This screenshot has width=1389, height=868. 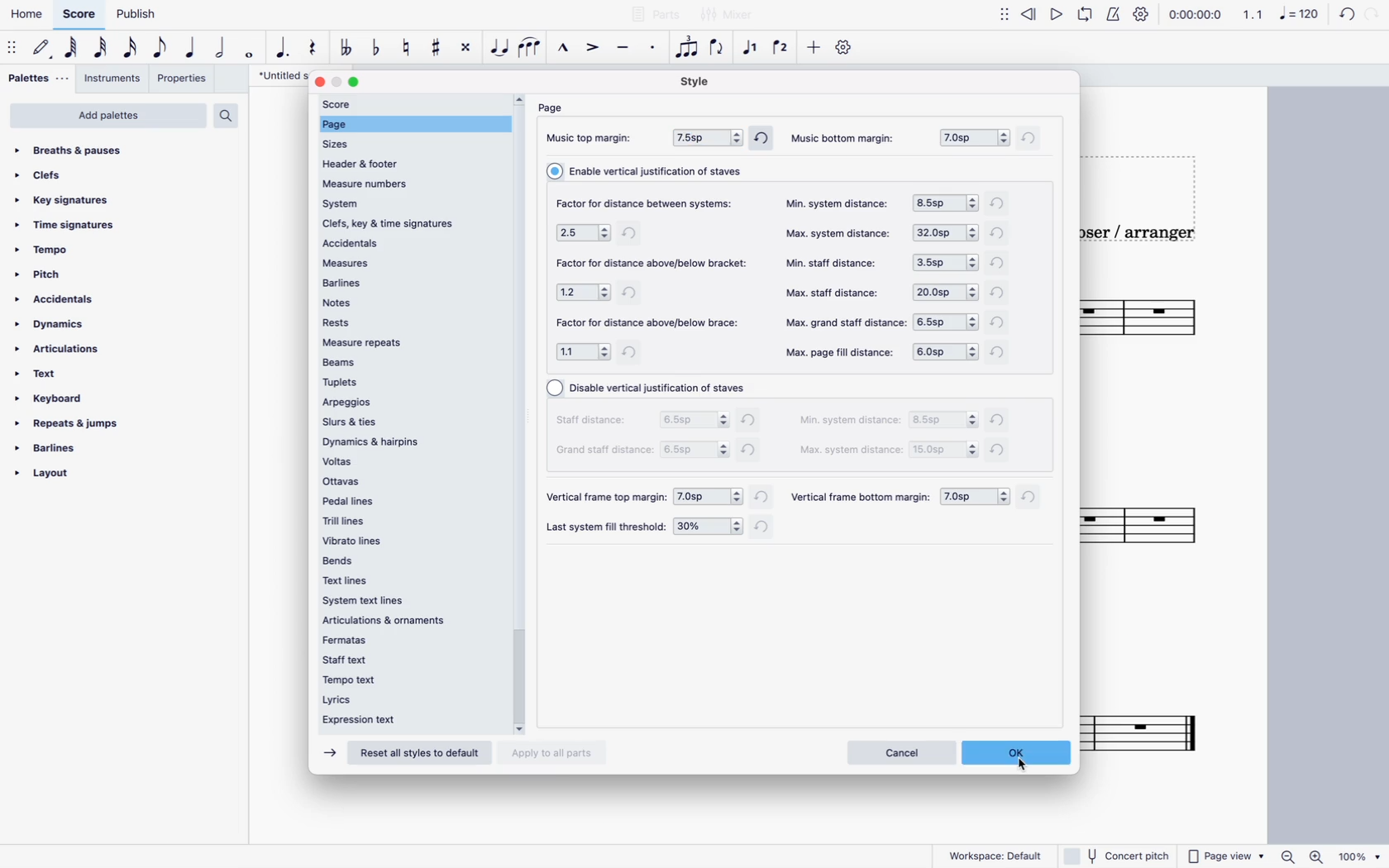 I want to click on vertical frame bottom margin, so click(x=861, y=498).